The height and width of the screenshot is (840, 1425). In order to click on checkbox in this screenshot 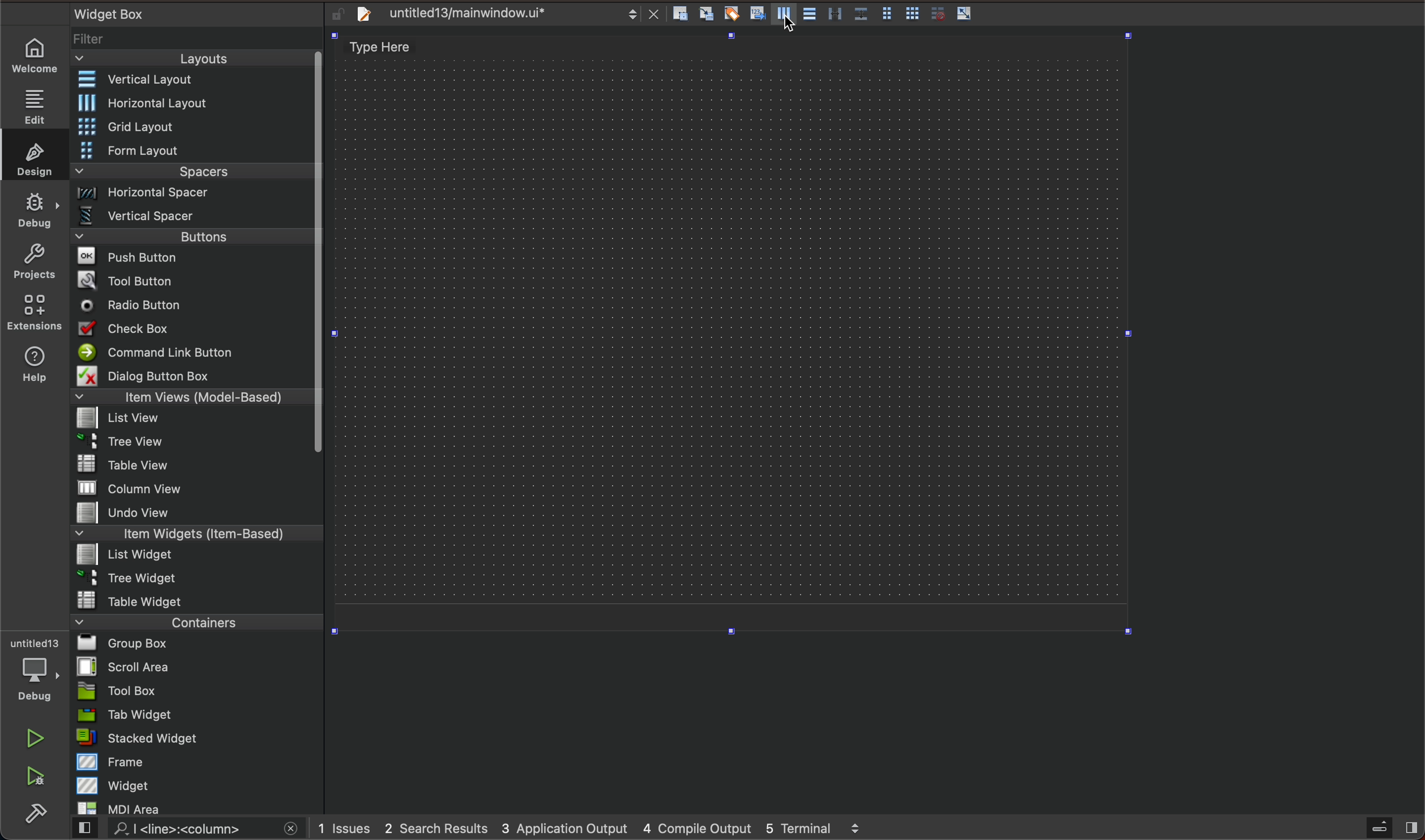, I will do `click(195, 329)`.